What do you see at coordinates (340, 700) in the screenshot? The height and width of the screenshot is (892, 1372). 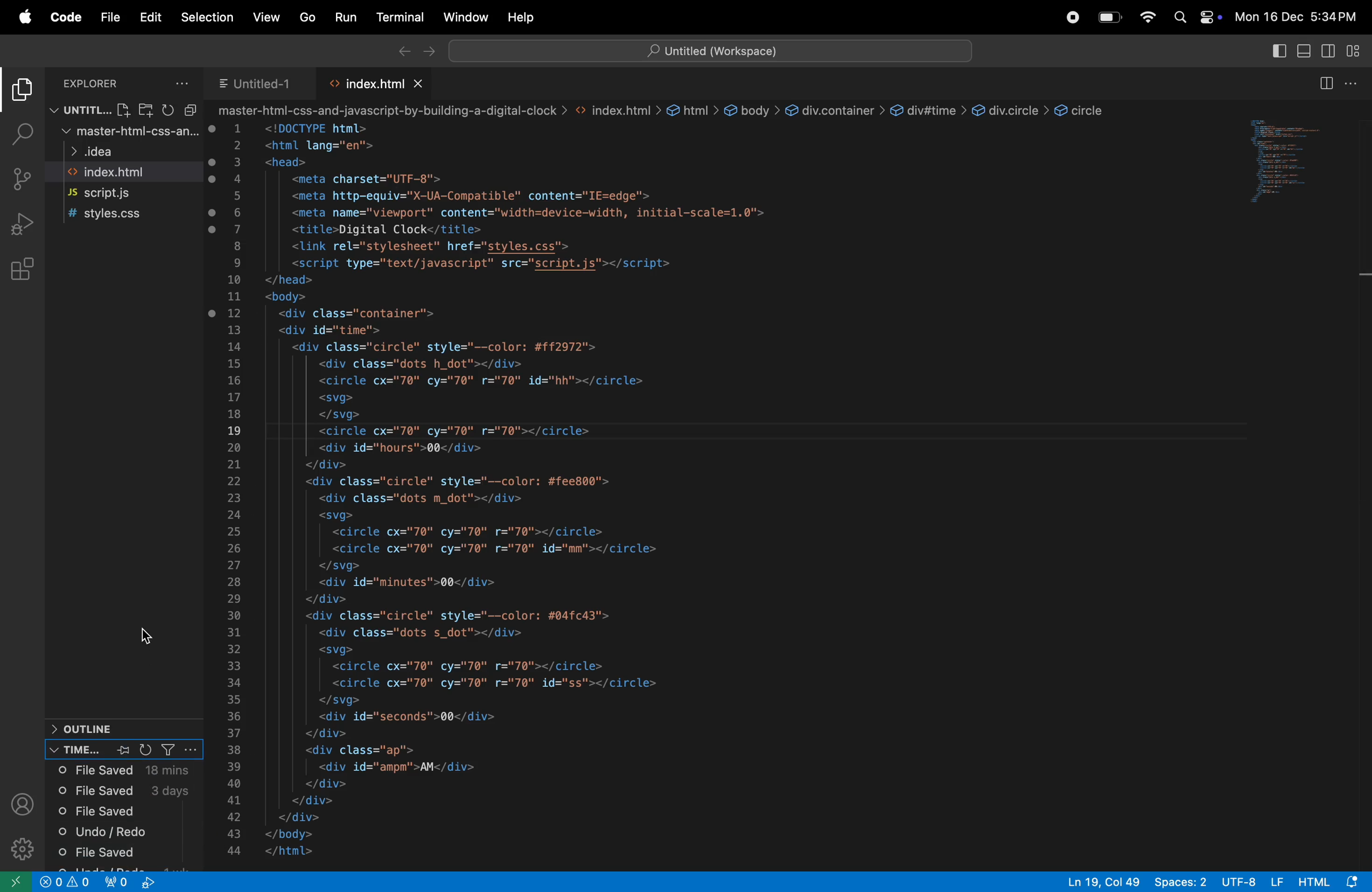 I see `</sva>` at bounding box center [340, 700].